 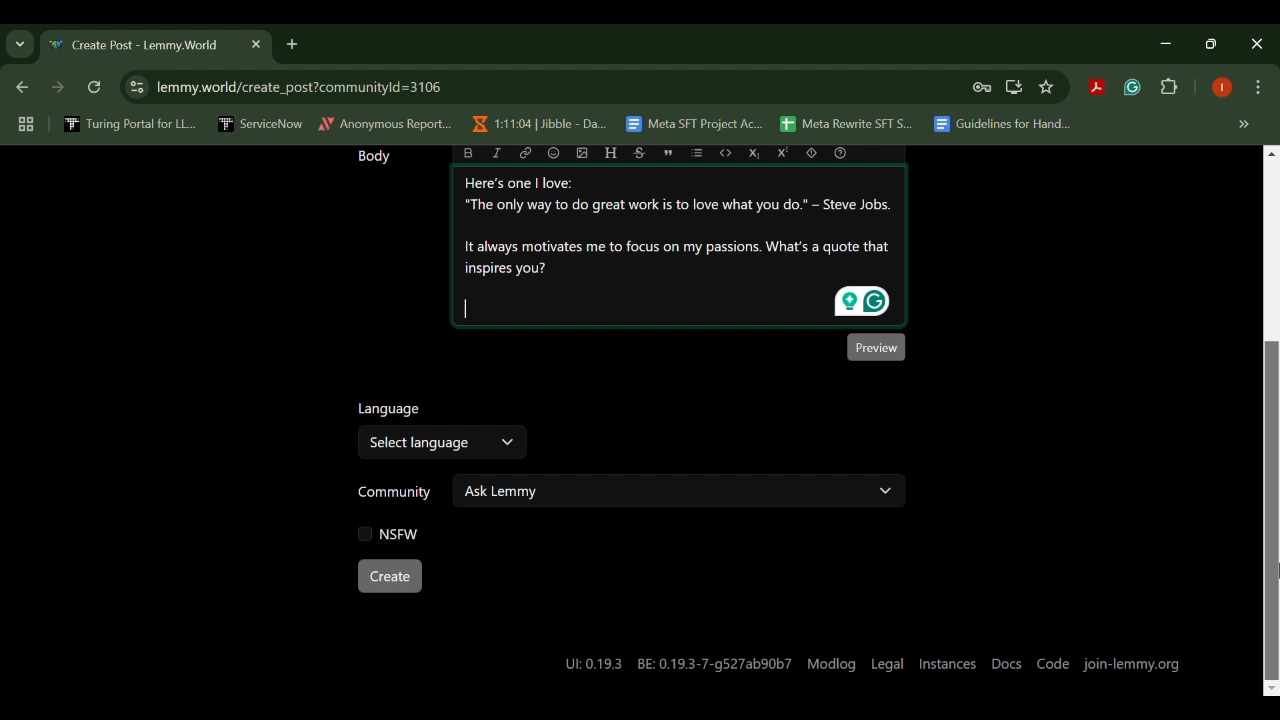 I want to click on Docs, so click(x=1007, y=662).